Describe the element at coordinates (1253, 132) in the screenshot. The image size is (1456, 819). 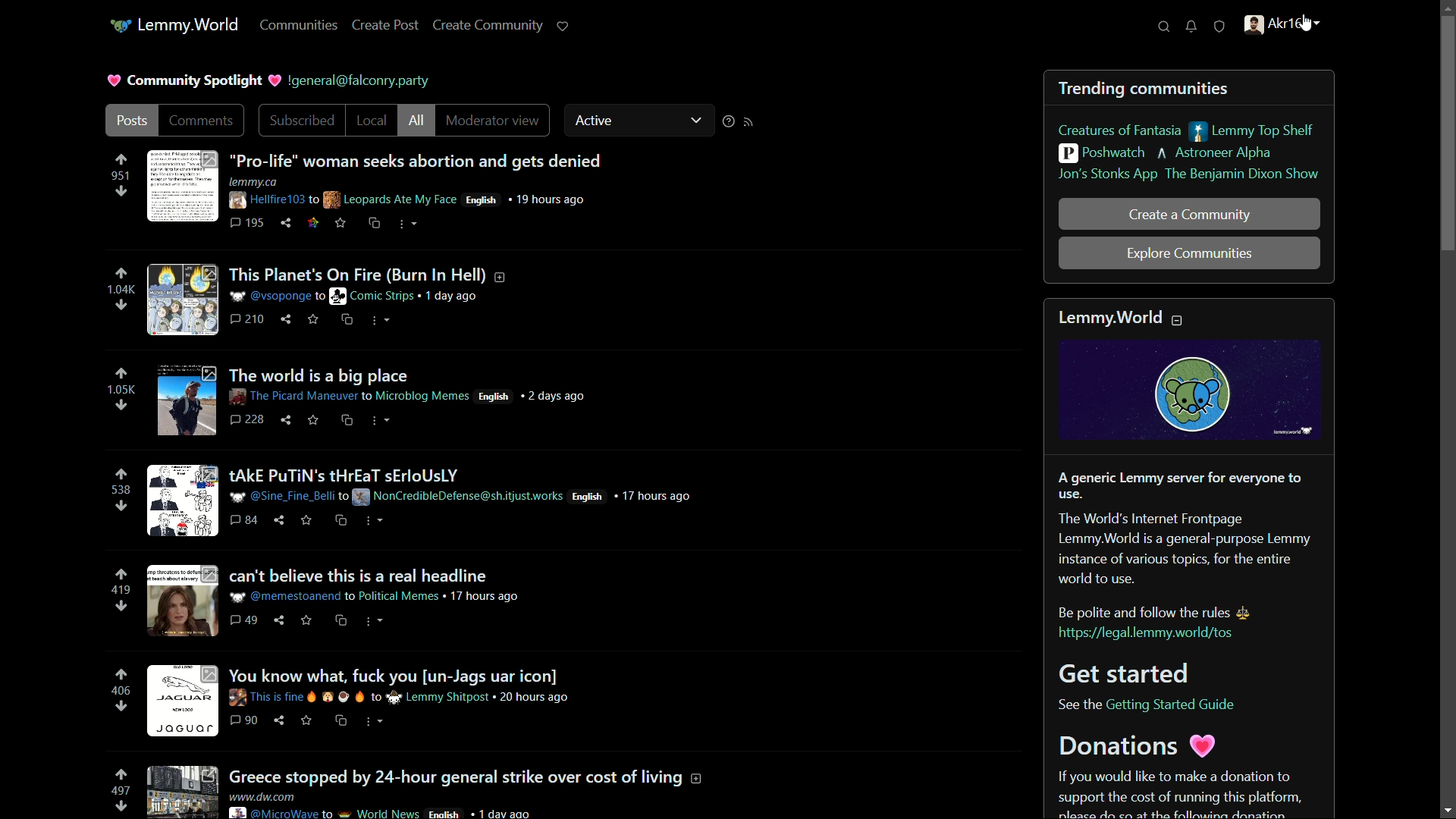
I see `lemmy top shelf` at that location.